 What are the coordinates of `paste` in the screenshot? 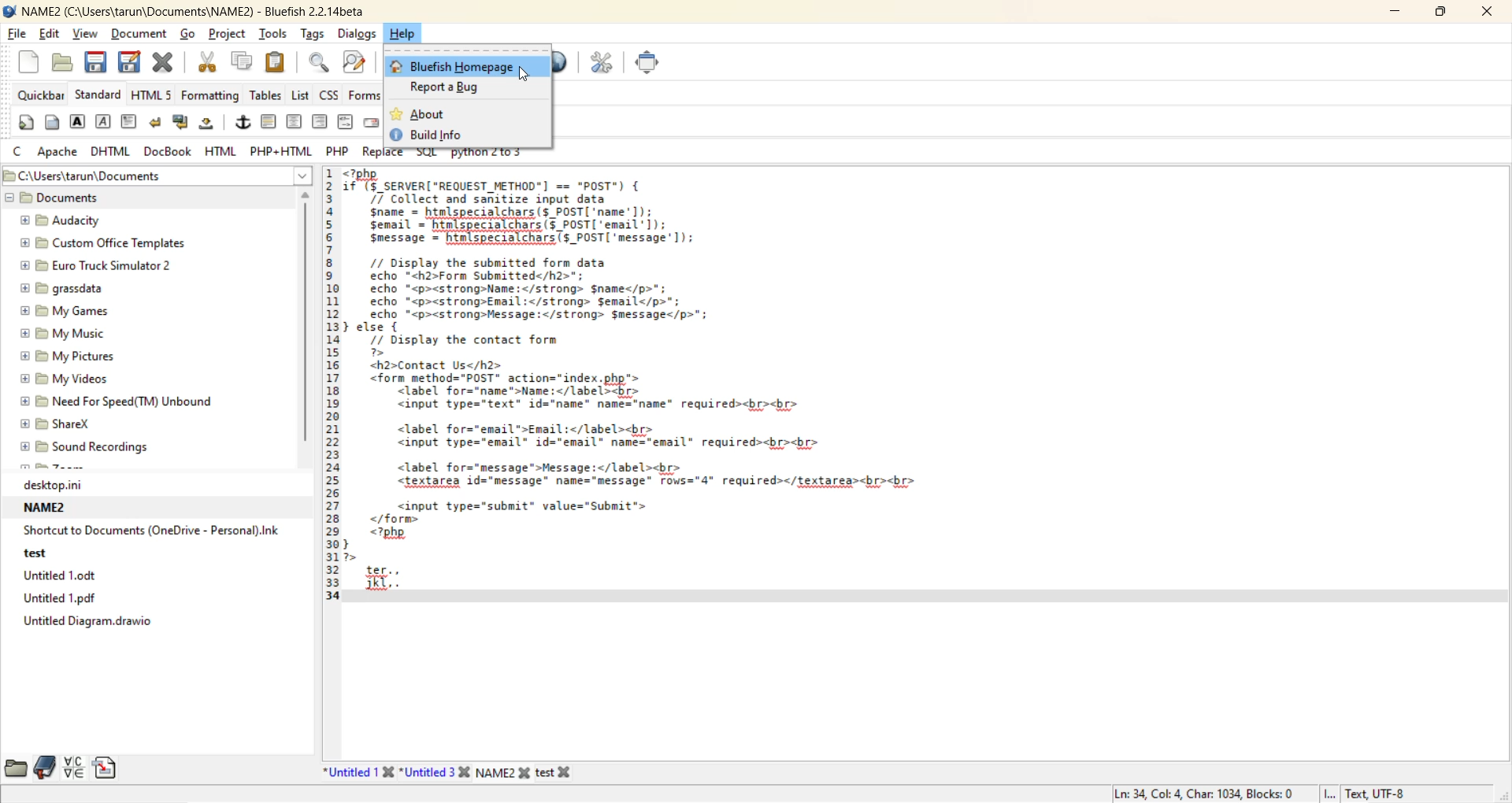 It's located at (277, 61).